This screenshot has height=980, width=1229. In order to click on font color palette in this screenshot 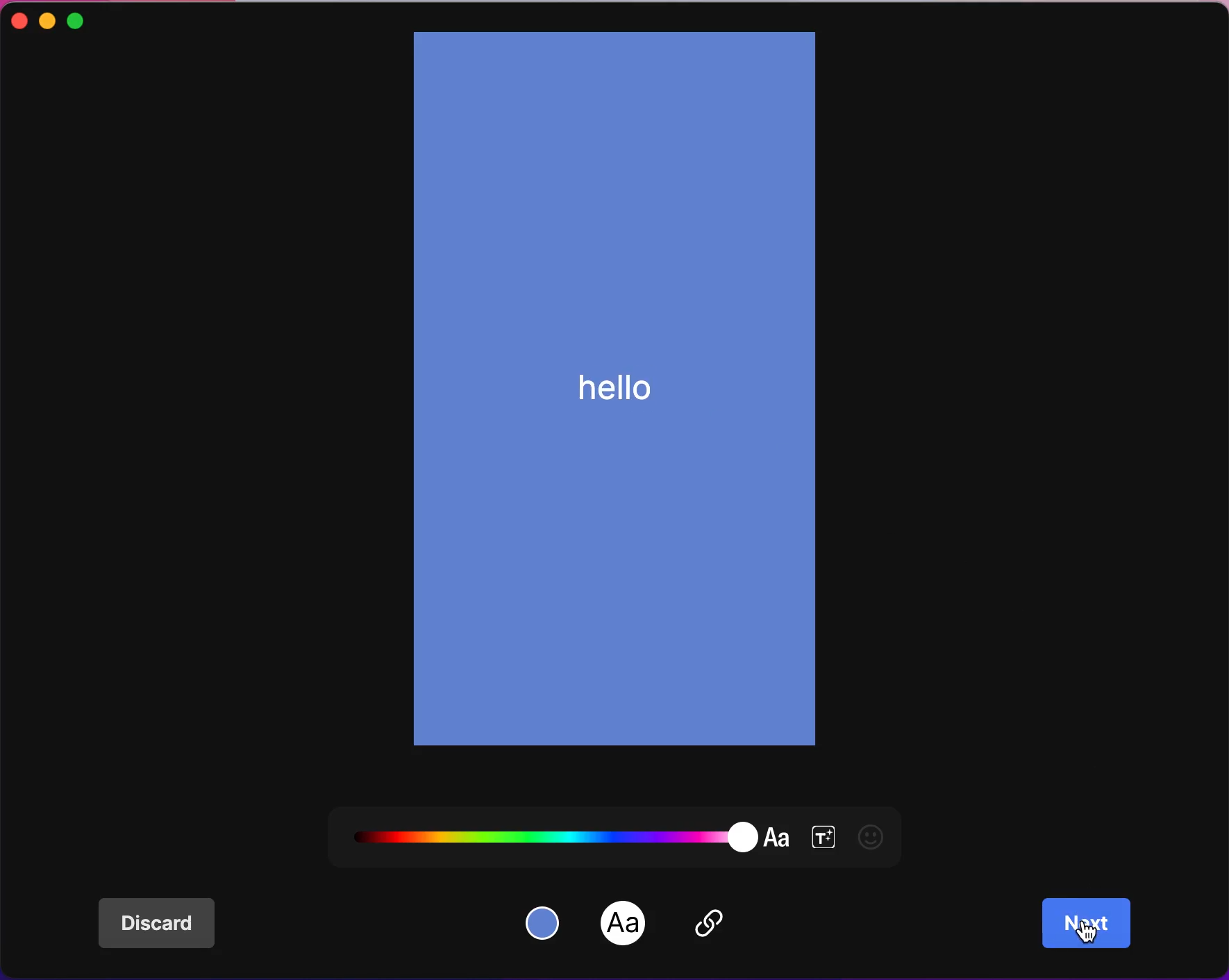, I will do `click(569, 828)`.